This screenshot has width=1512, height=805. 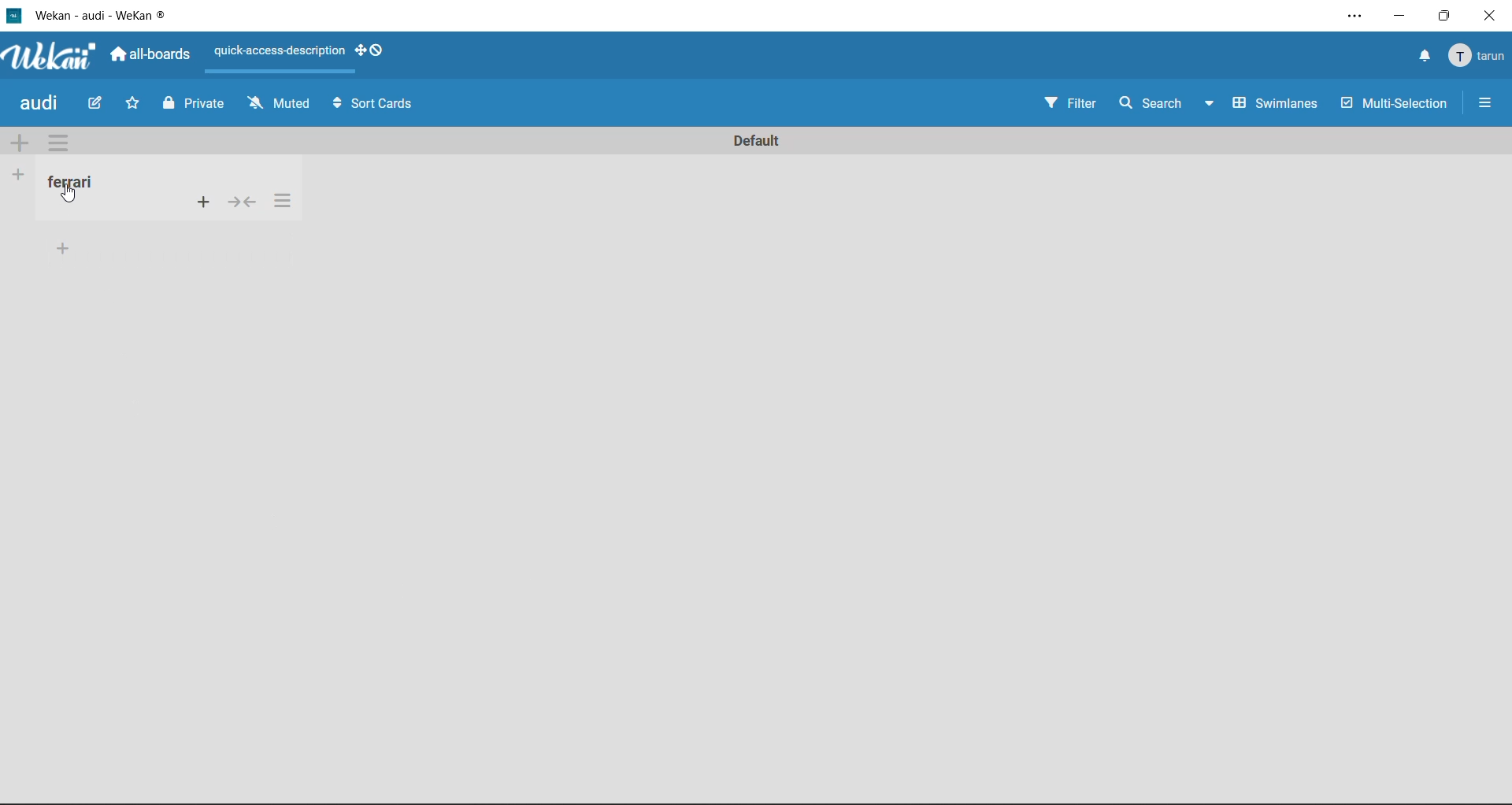 What do you see at coordinates (277, 51) in the screenshot?
I see `quick-access-description` at bounding box center [277, 51].